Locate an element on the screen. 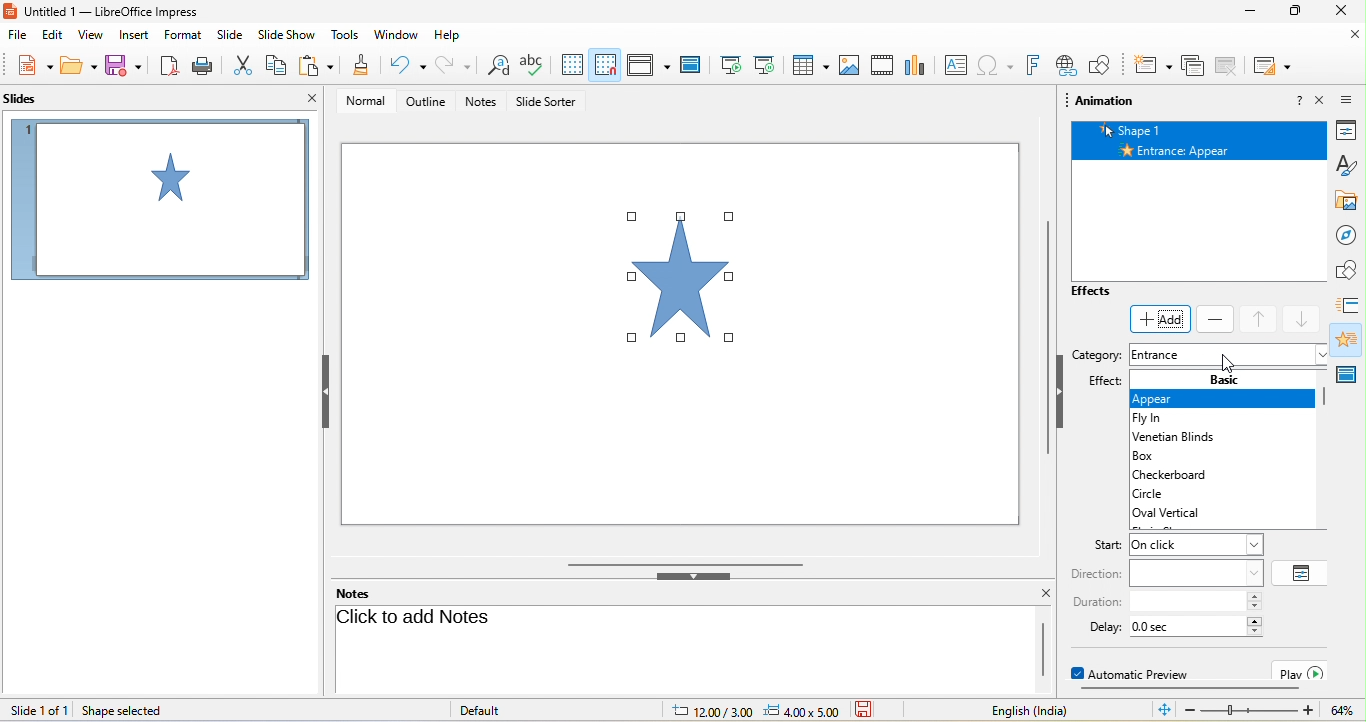 The height and width of the screenshot is (722, 1366). increase duration is located at coordinates (1255, 596).